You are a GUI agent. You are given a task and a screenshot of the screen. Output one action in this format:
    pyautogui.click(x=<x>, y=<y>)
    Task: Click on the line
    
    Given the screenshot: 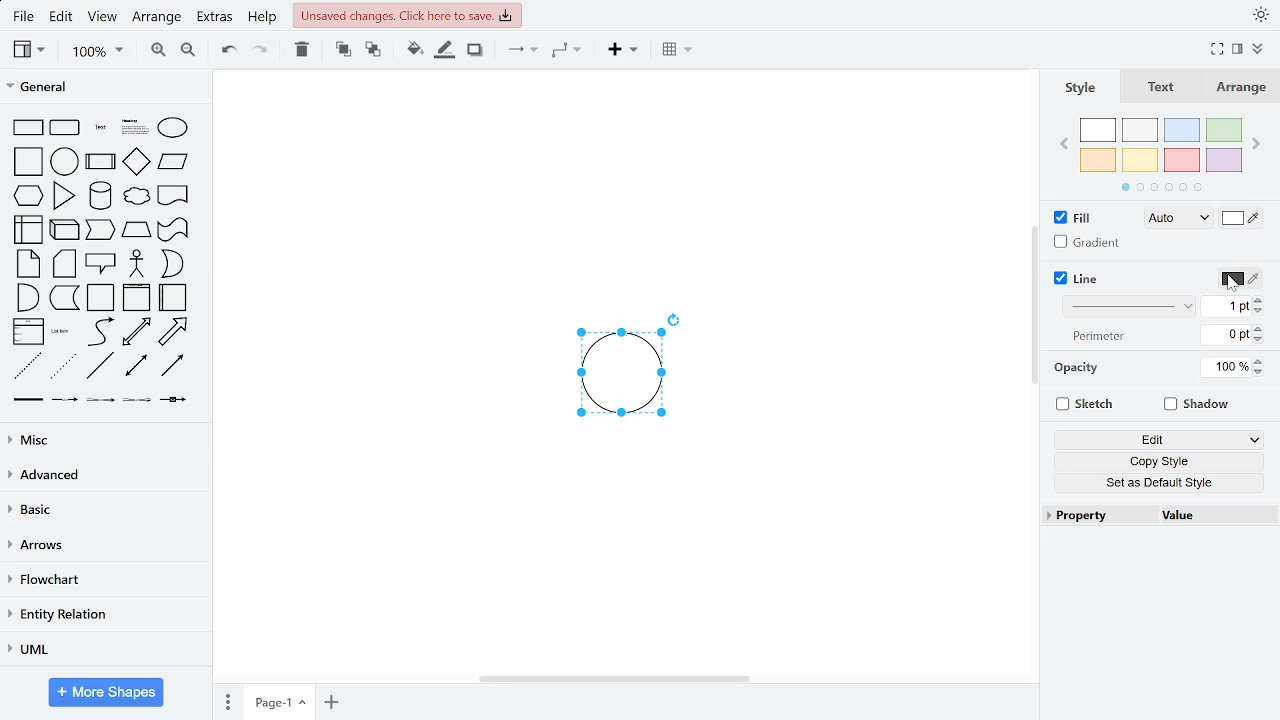 What is the action you would take?
    pyautogui.click(x=1079, y=279)
    